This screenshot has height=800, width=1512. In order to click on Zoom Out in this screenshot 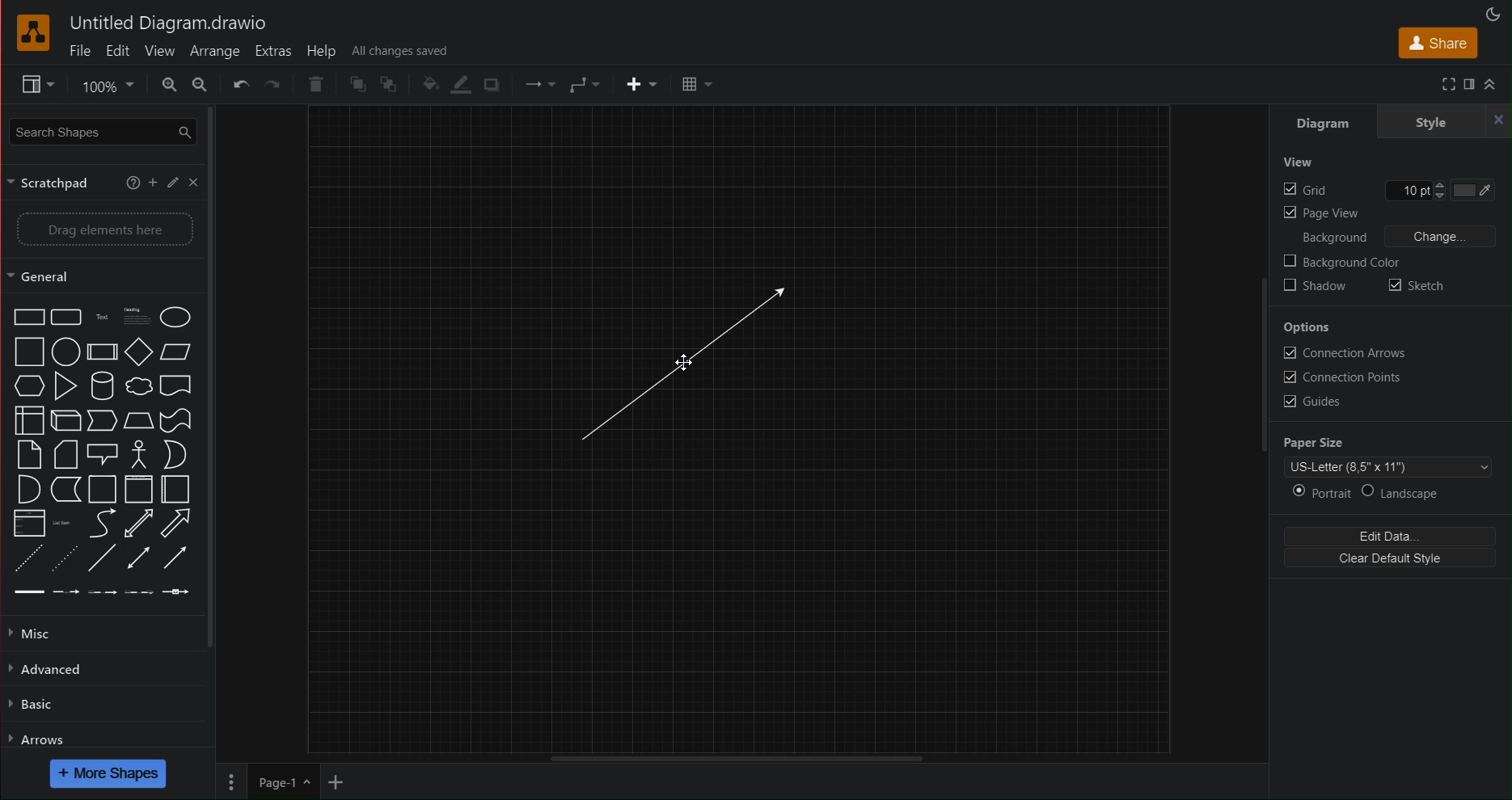, I will do `click(201, 84)`.